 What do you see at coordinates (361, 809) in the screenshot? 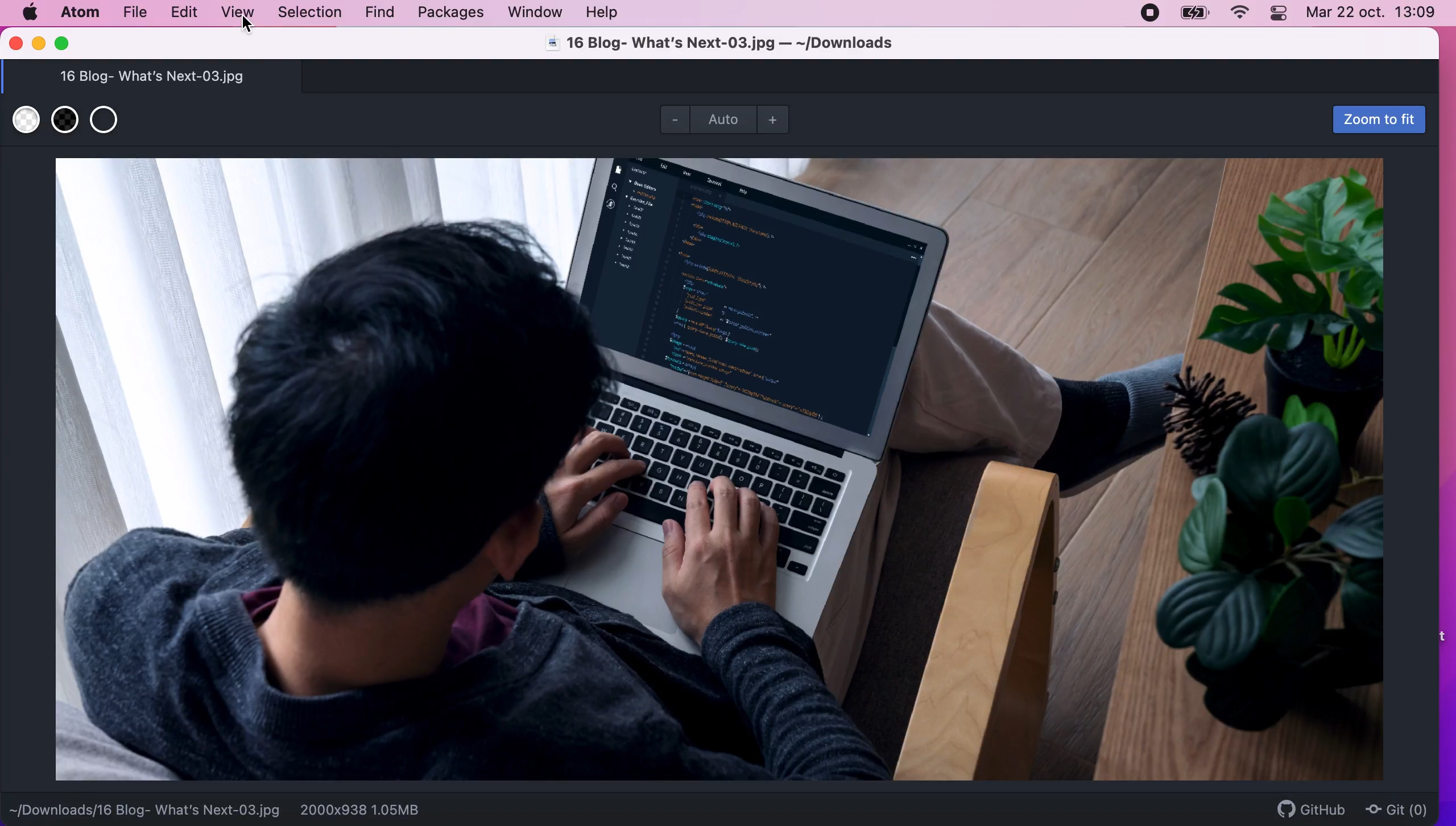
I see `2000x938 1.05MB` at bounding box center [361, 809].